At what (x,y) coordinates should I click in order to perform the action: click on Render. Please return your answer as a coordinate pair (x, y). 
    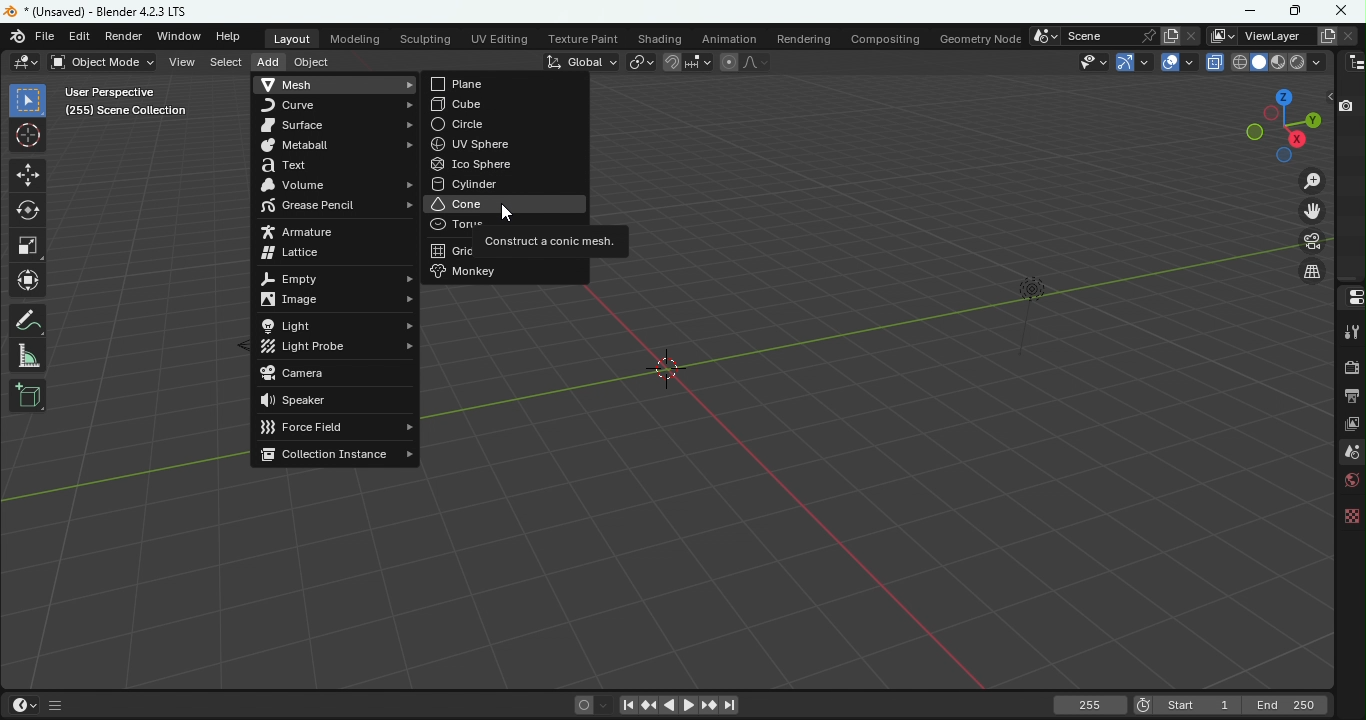
    Looking at the image, I should click on (126, 36).